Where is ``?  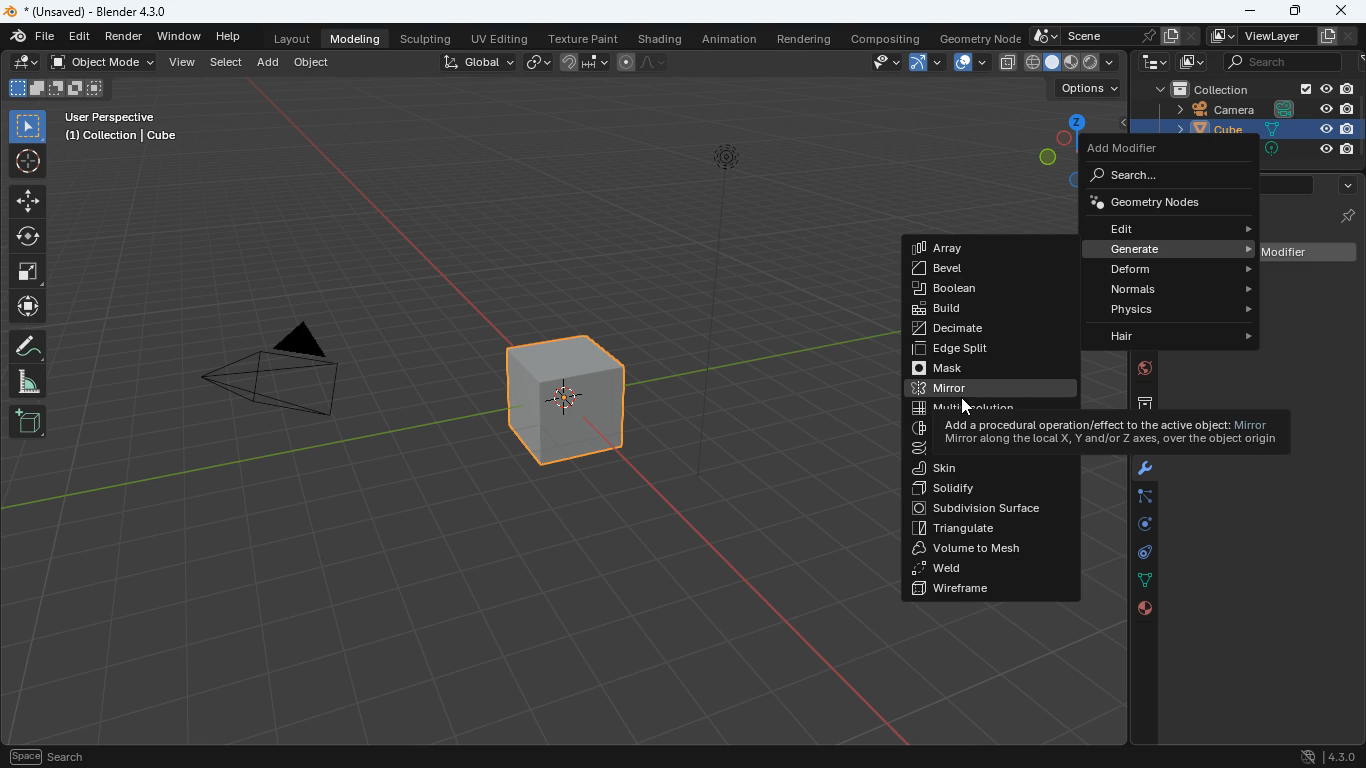  is located at coordinates (1325, 90).